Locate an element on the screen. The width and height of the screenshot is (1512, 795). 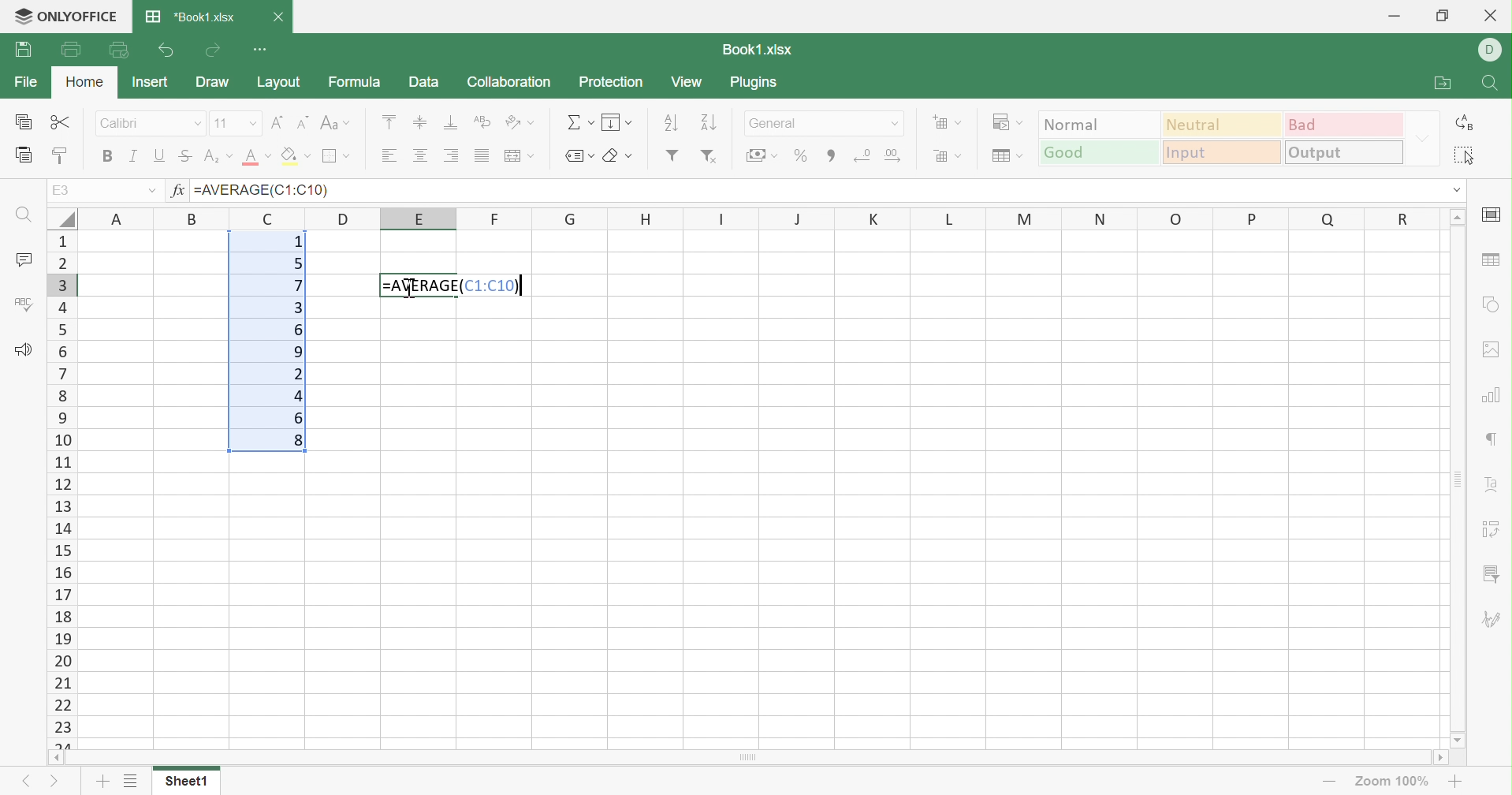
Scroll Down is located at coordinates (1452, 739).